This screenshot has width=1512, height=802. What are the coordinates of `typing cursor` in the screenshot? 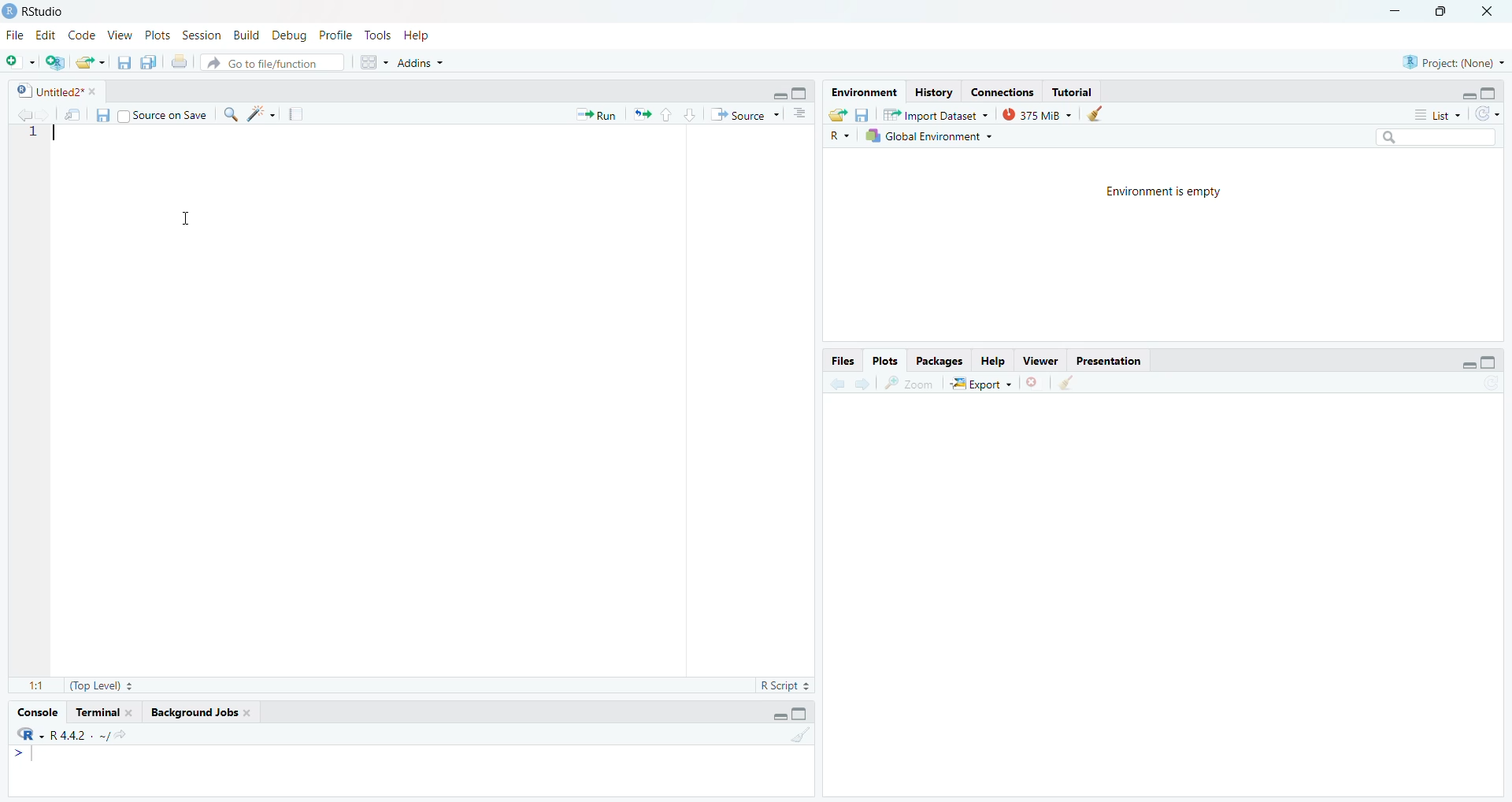 It's located at (31, 759).